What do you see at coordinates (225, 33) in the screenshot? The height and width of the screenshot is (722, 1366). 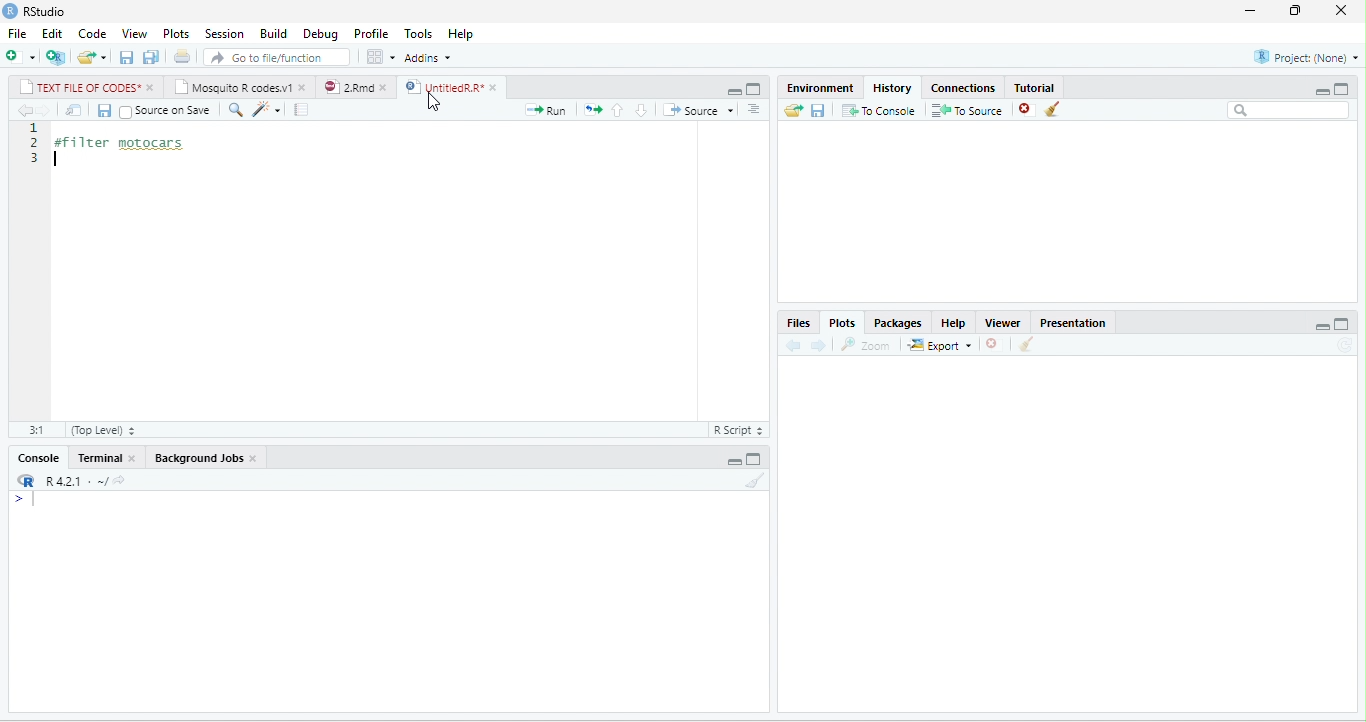 I see `Session` at bounding box center [225, 33].